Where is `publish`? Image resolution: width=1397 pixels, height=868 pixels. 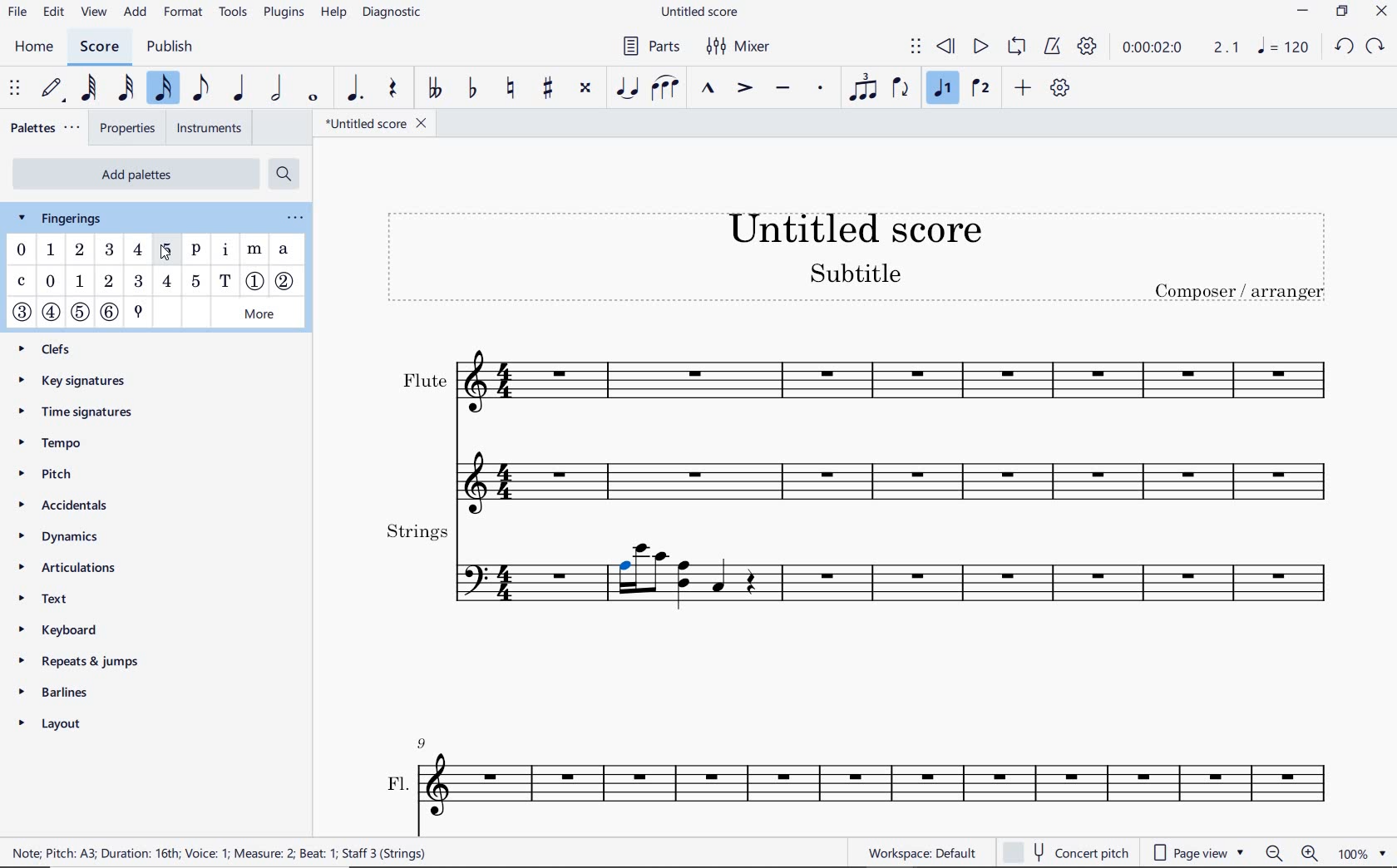 publish is located at coordinates (175, 47).